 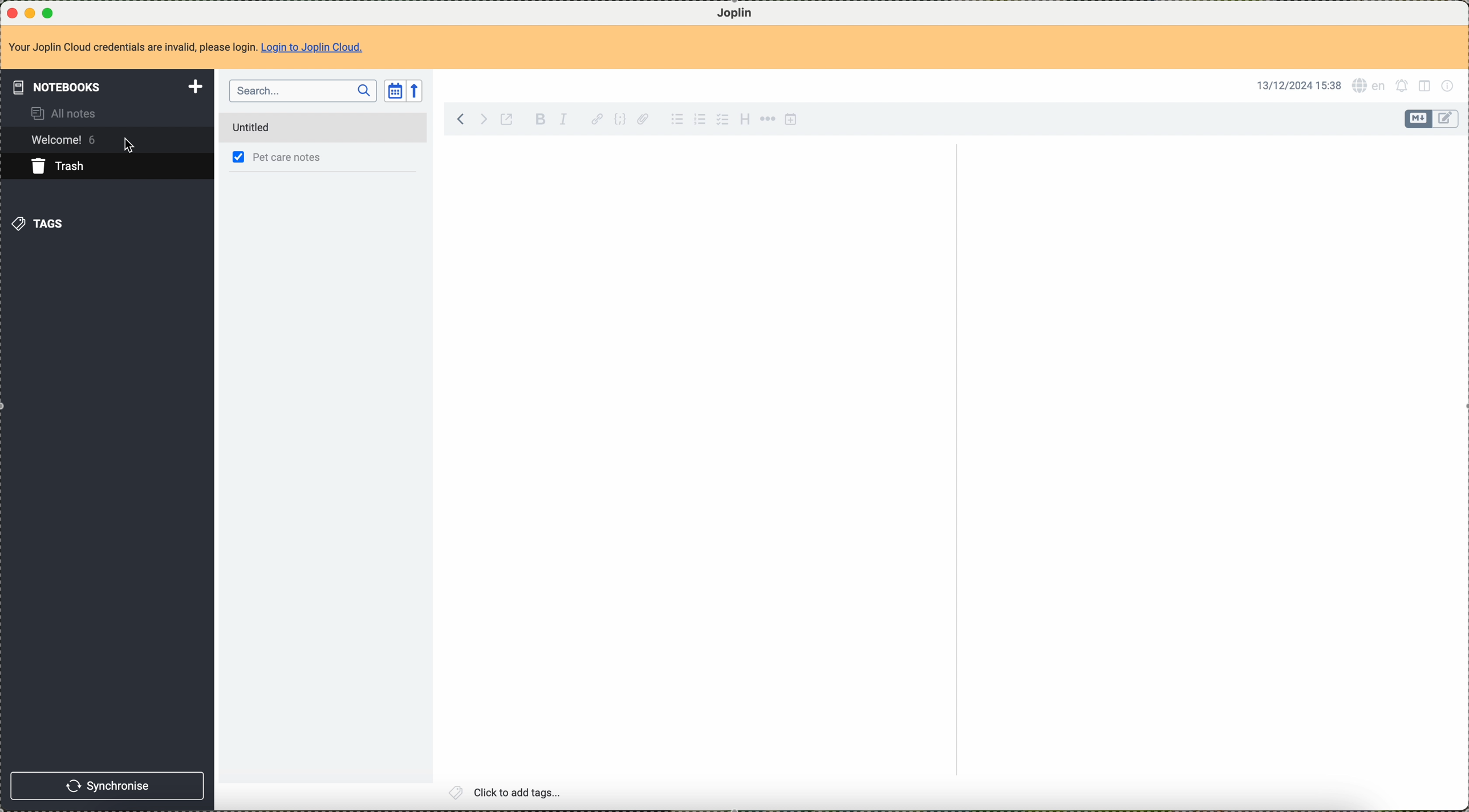 I want to click on pet care notes, so click(x=291, y=158).